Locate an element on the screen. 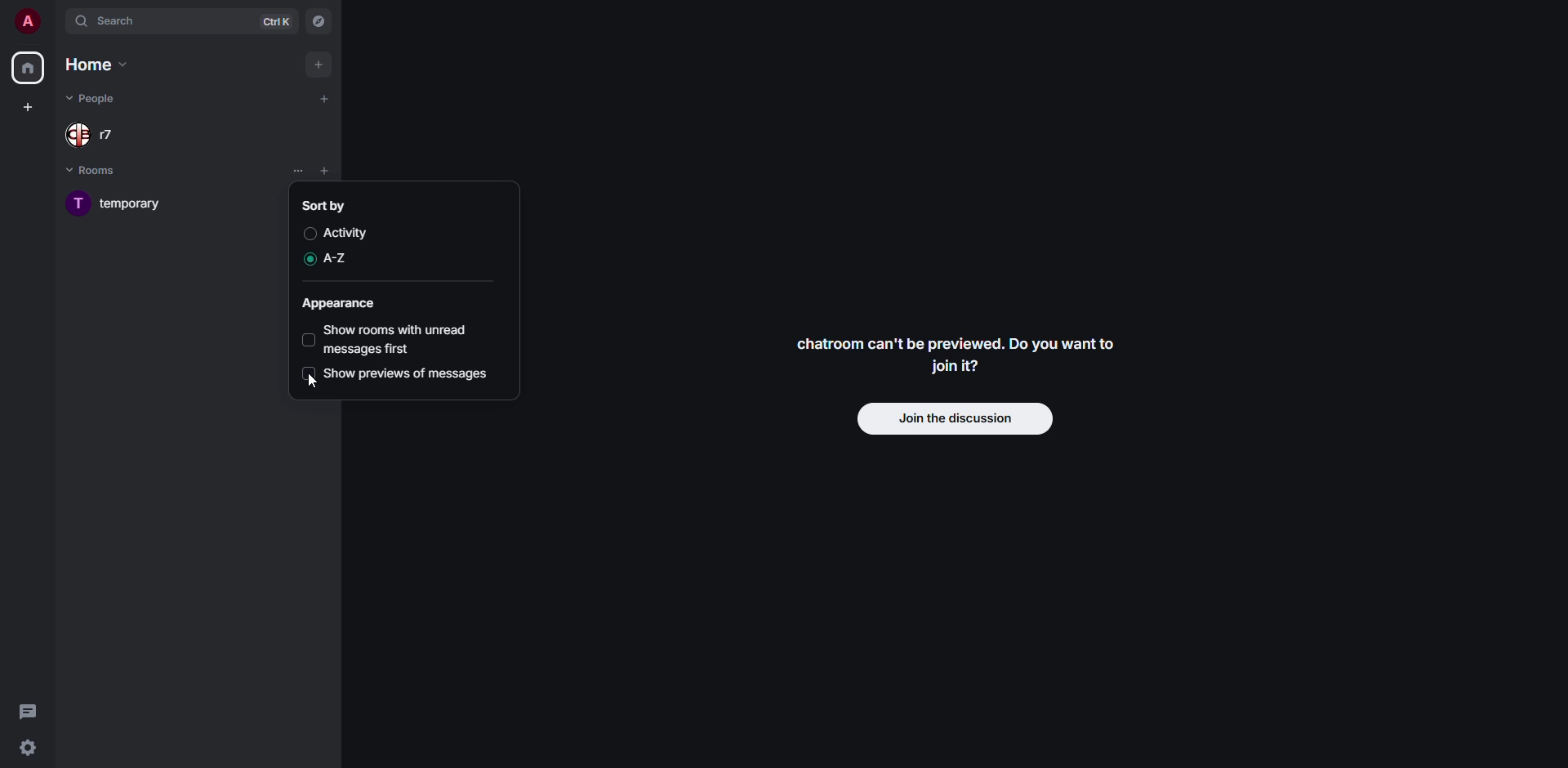 The width and height of the screenshot is (1568, 768). create space is located at coordinates (28, 106).